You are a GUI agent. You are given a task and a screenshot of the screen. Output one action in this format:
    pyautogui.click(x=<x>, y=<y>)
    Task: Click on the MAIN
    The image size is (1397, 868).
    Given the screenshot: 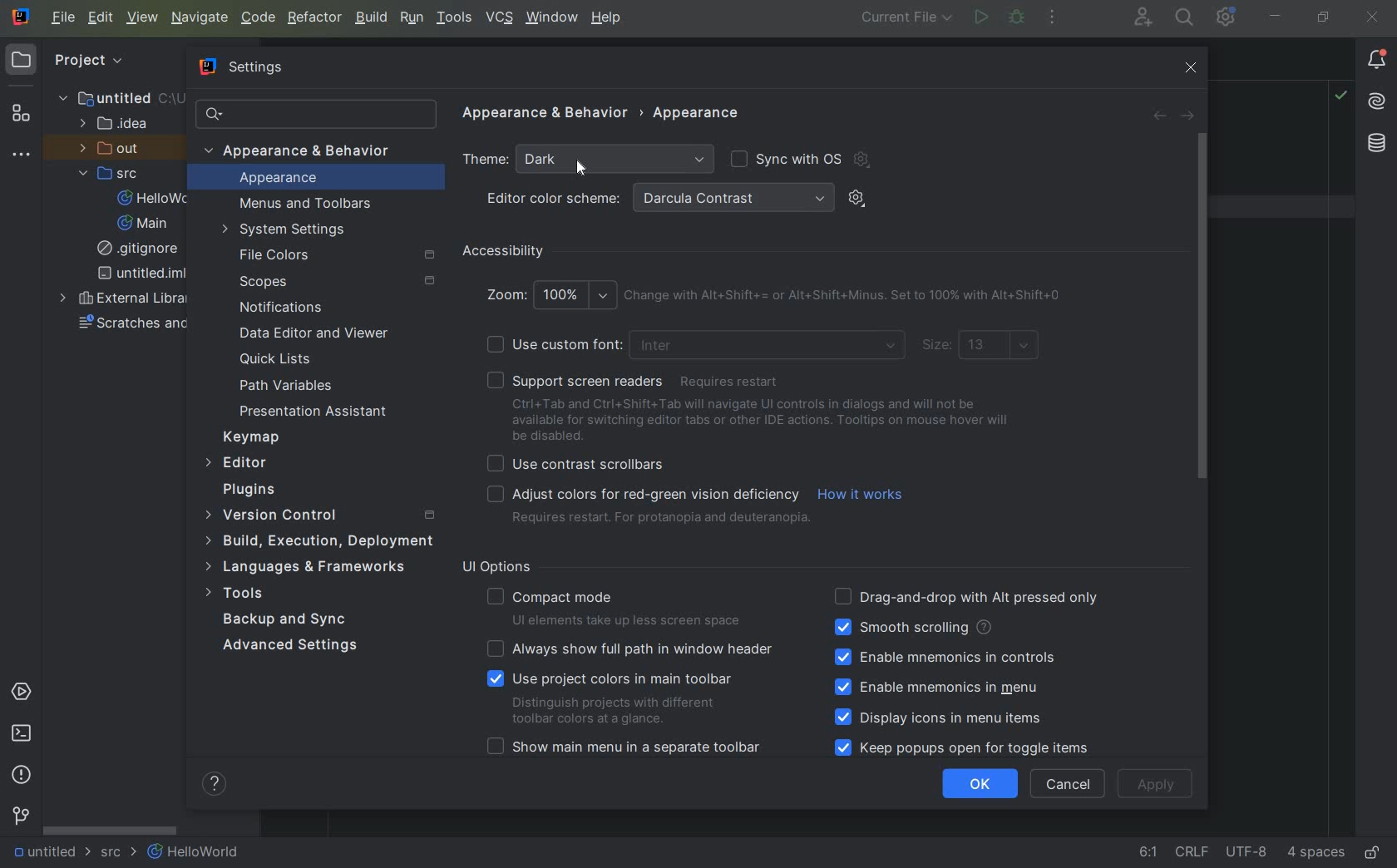 What is the action you would take?
    pyautogui.click(x=145, y=224)
    